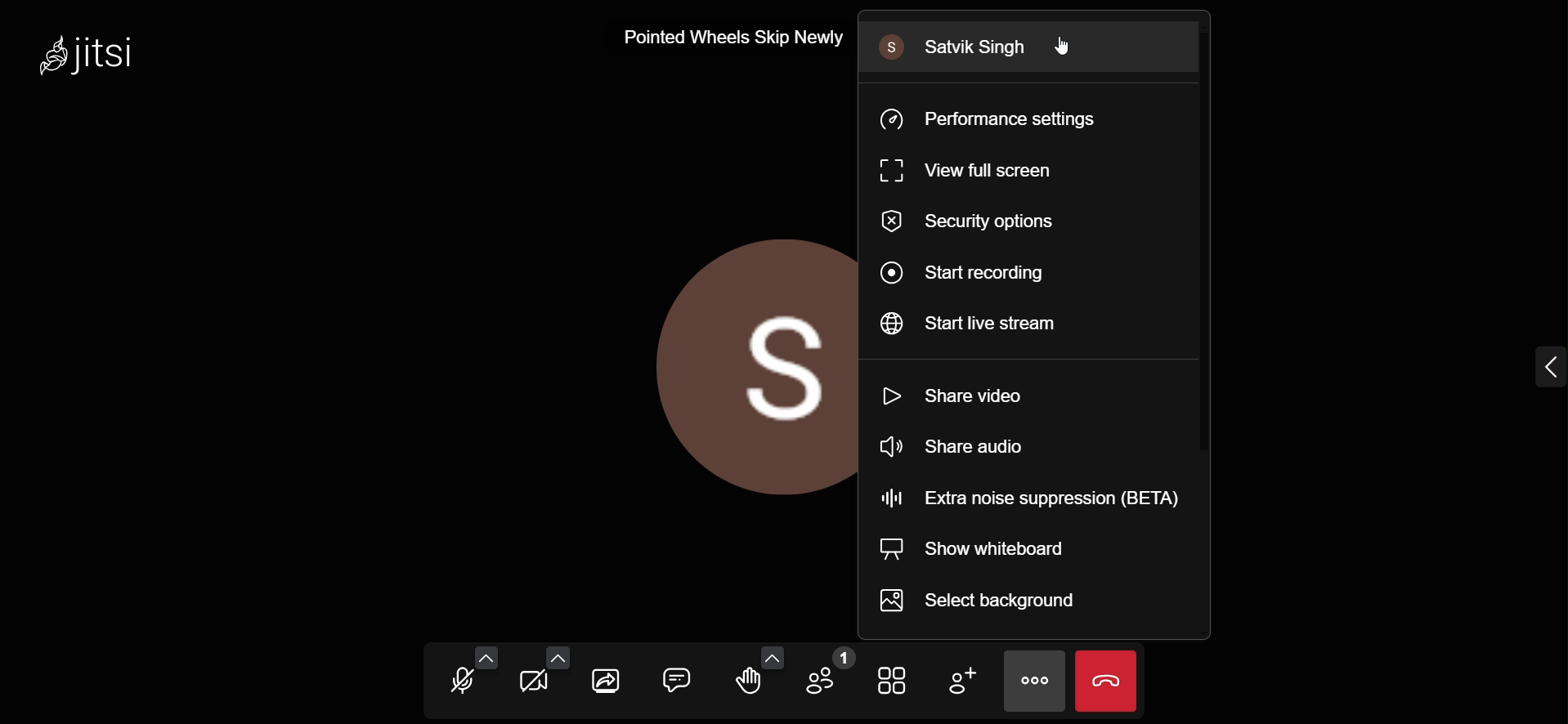 This screenshot has width=1568, height=724. I want to click on audio setting, so click(486, 653).